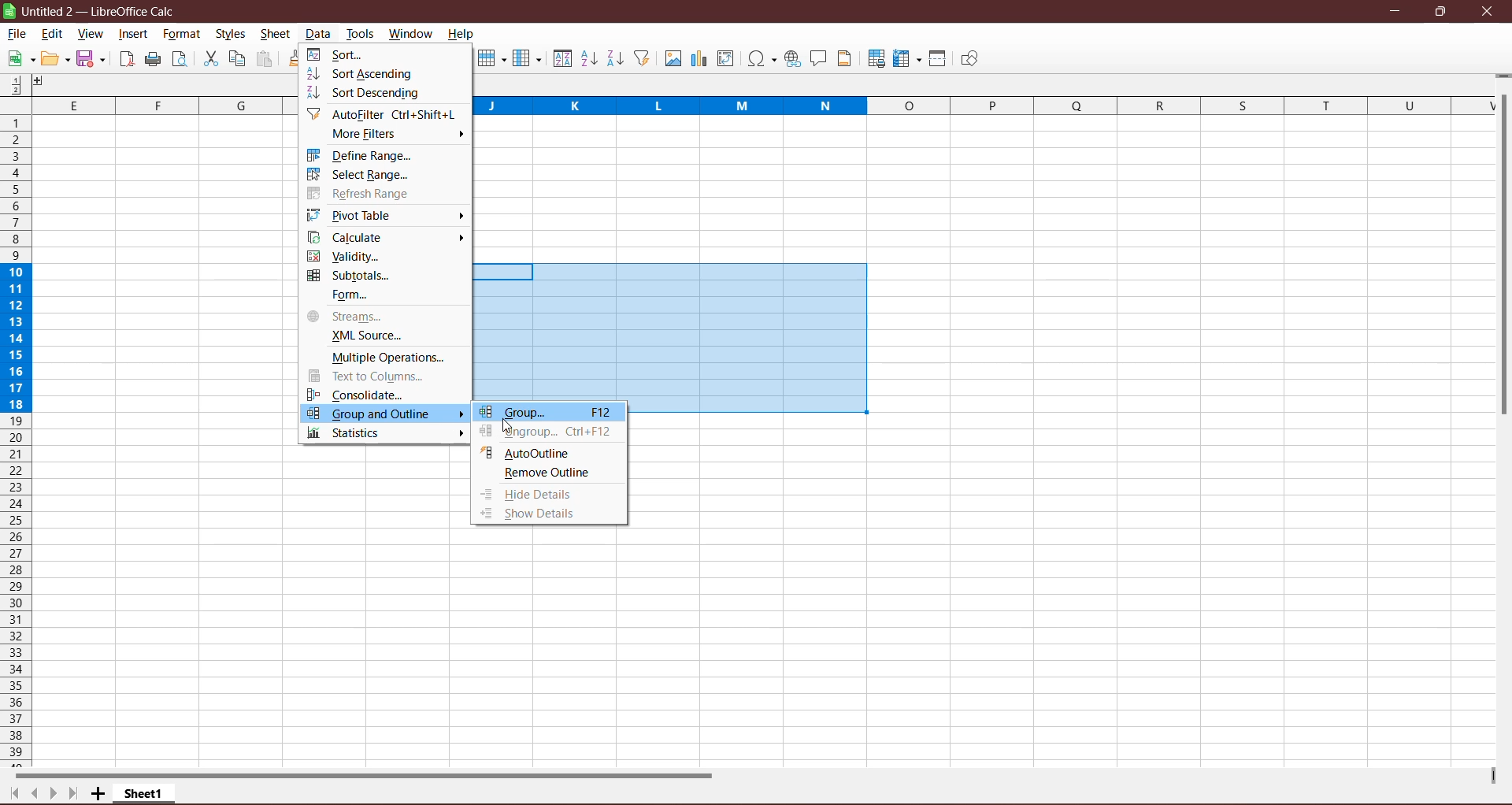 Image resolution: width=1512 pixels, height=805 pixels. I want to click on Sheet Name, so click(146, 793).